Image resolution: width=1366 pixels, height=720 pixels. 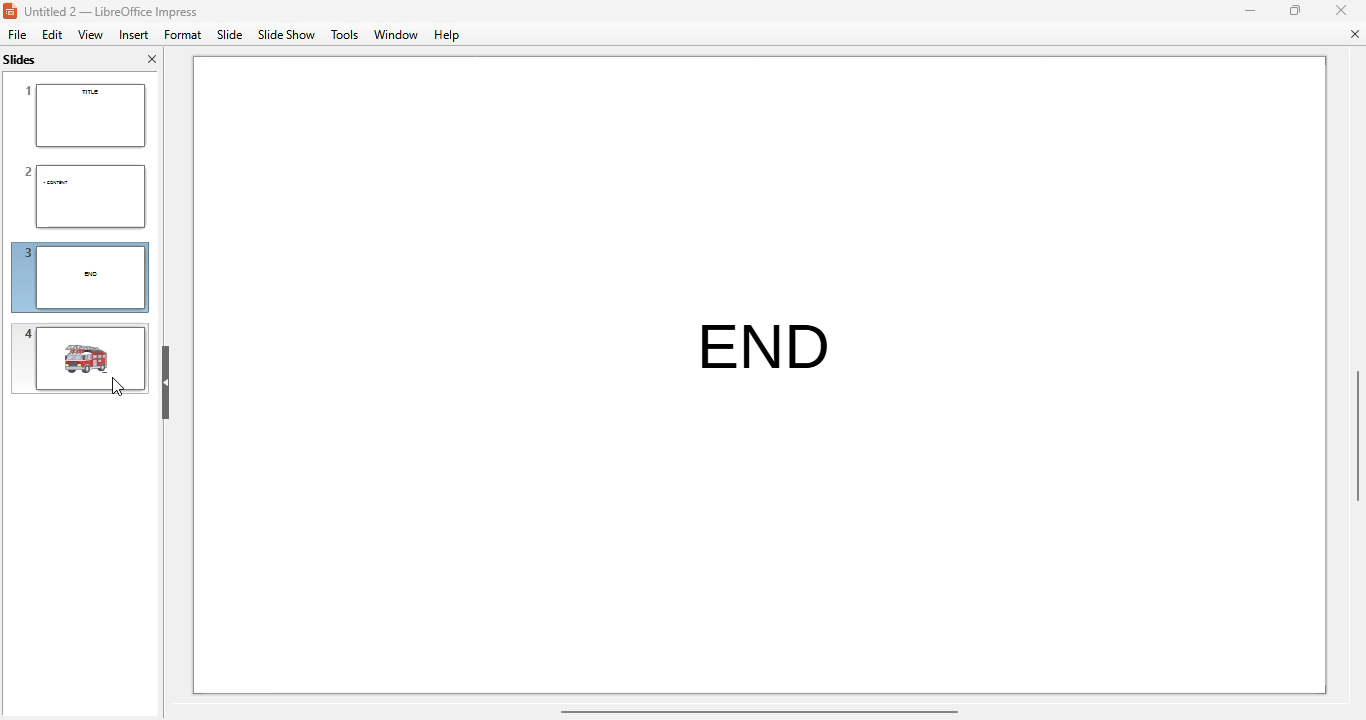 I want to click on close document, so click(x=1354, y=34).